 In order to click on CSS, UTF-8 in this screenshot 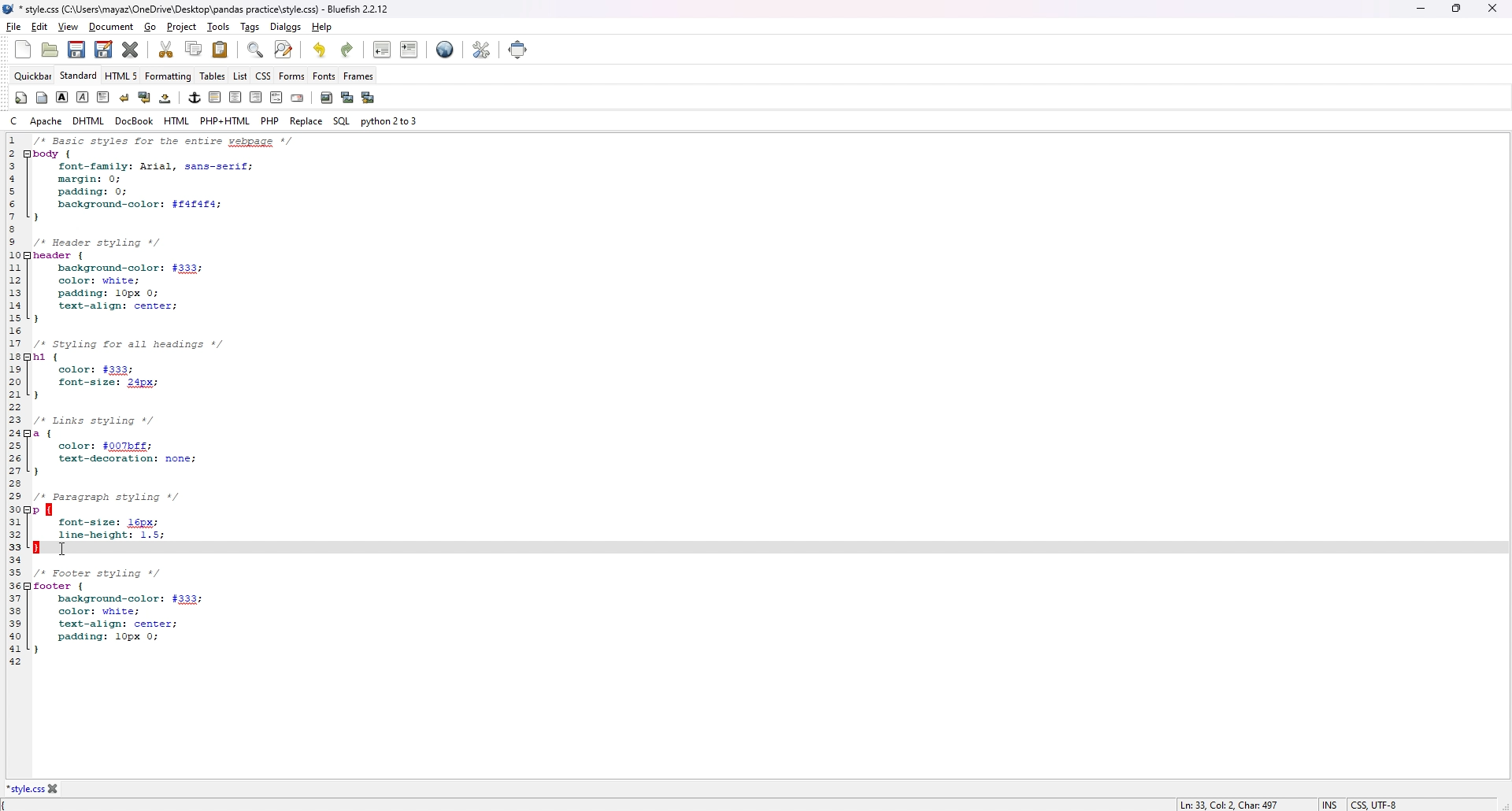, I will do `click(1377, 804)`.